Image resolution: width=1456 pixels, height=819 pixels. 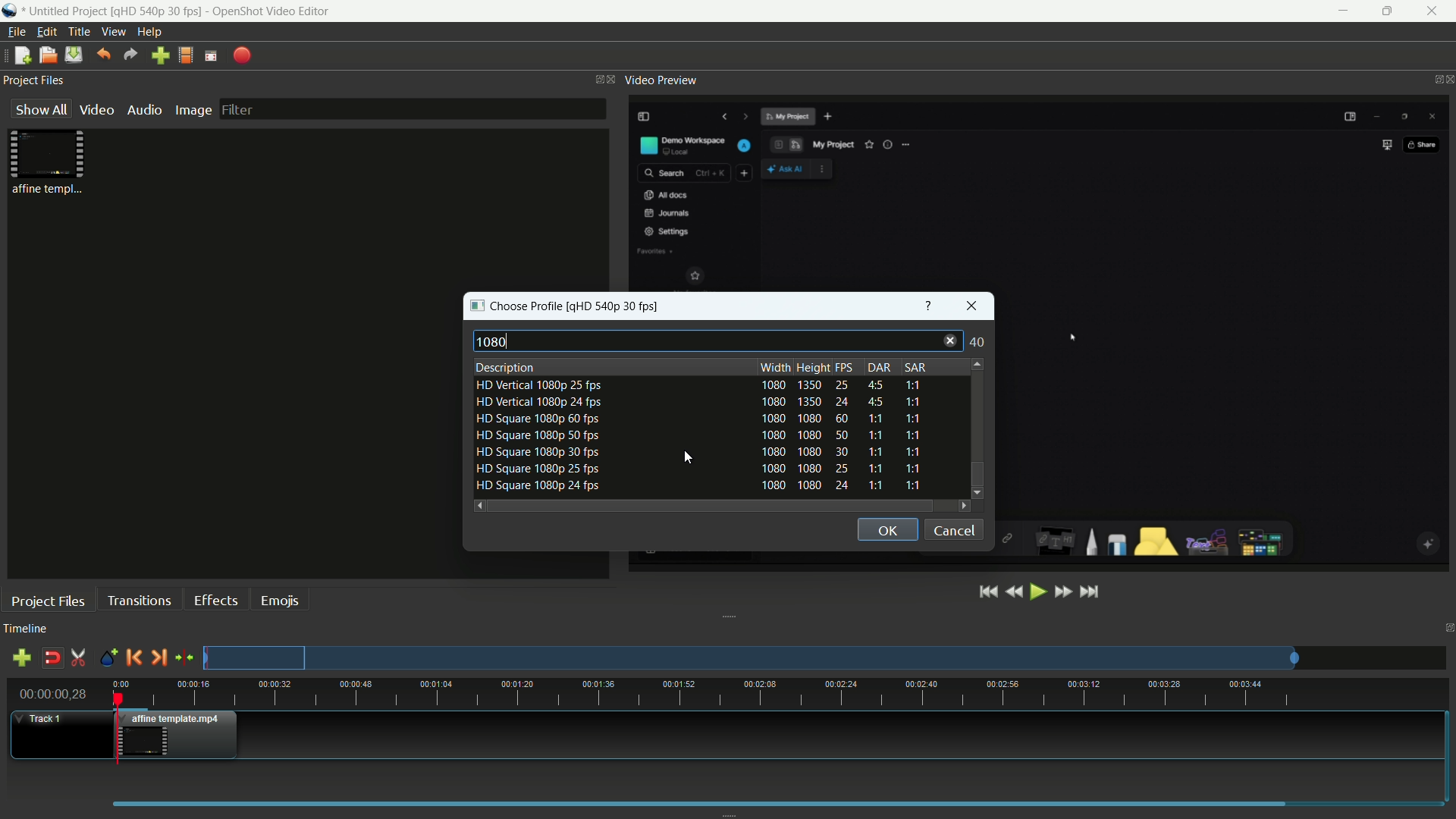 What do you see at coordinates (24, 657) in the screenshot?
I see `add track` at bounding box center [24, 657].